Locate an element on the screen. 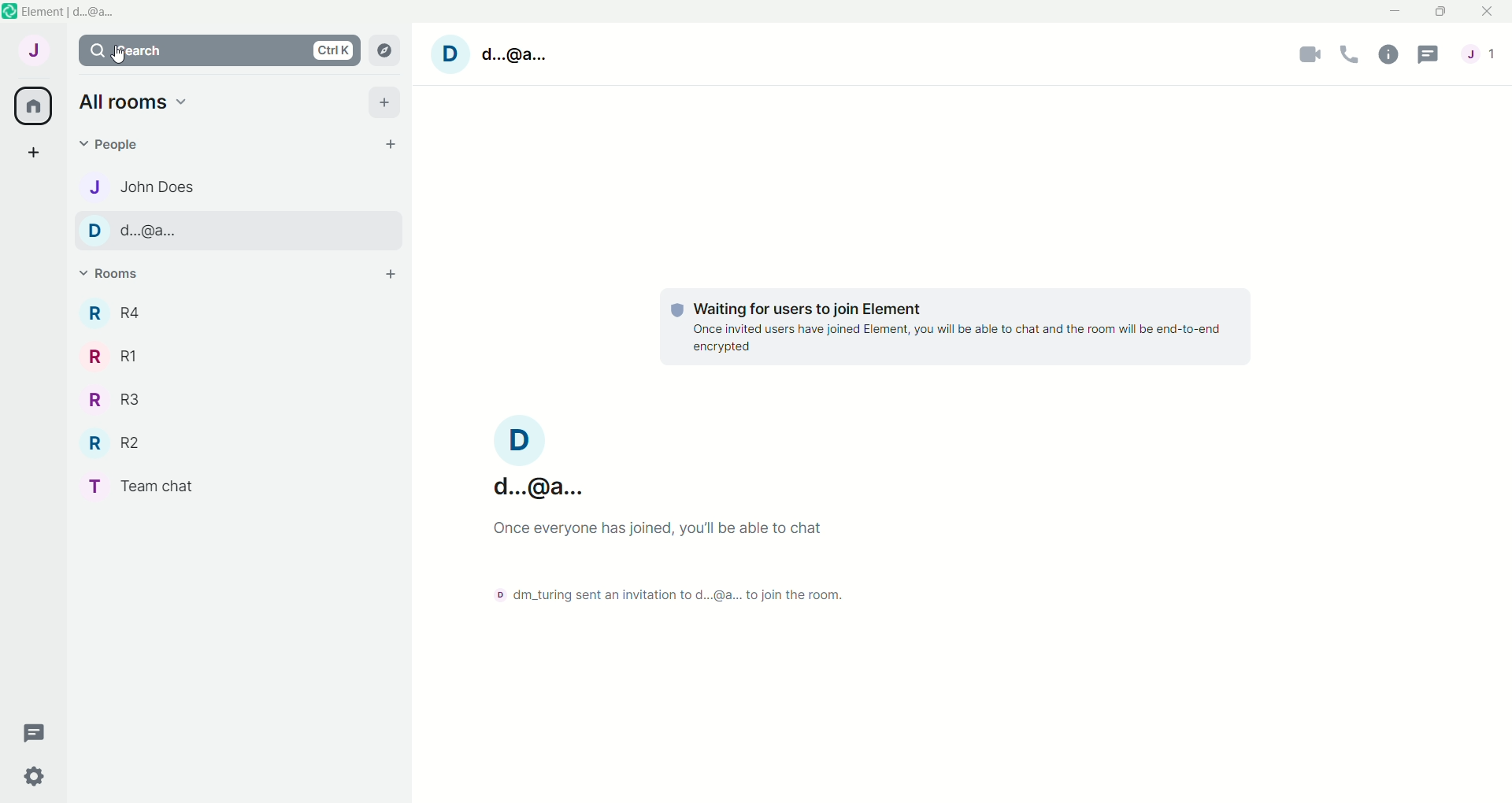  waiting for users to join element is located at coordinates (957, 331).